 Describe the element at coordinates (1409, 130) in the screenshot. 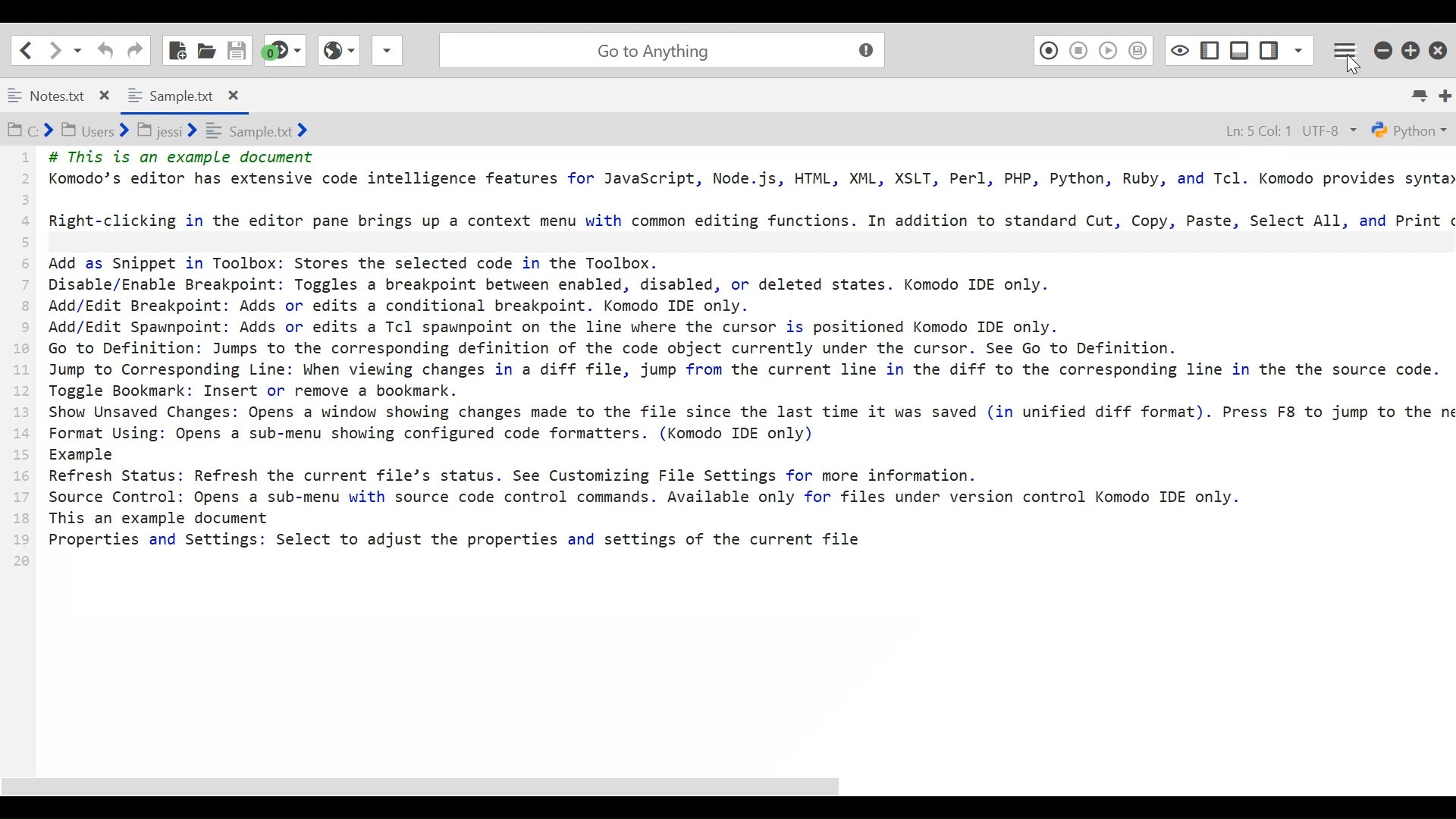

I see `Python` at that location.